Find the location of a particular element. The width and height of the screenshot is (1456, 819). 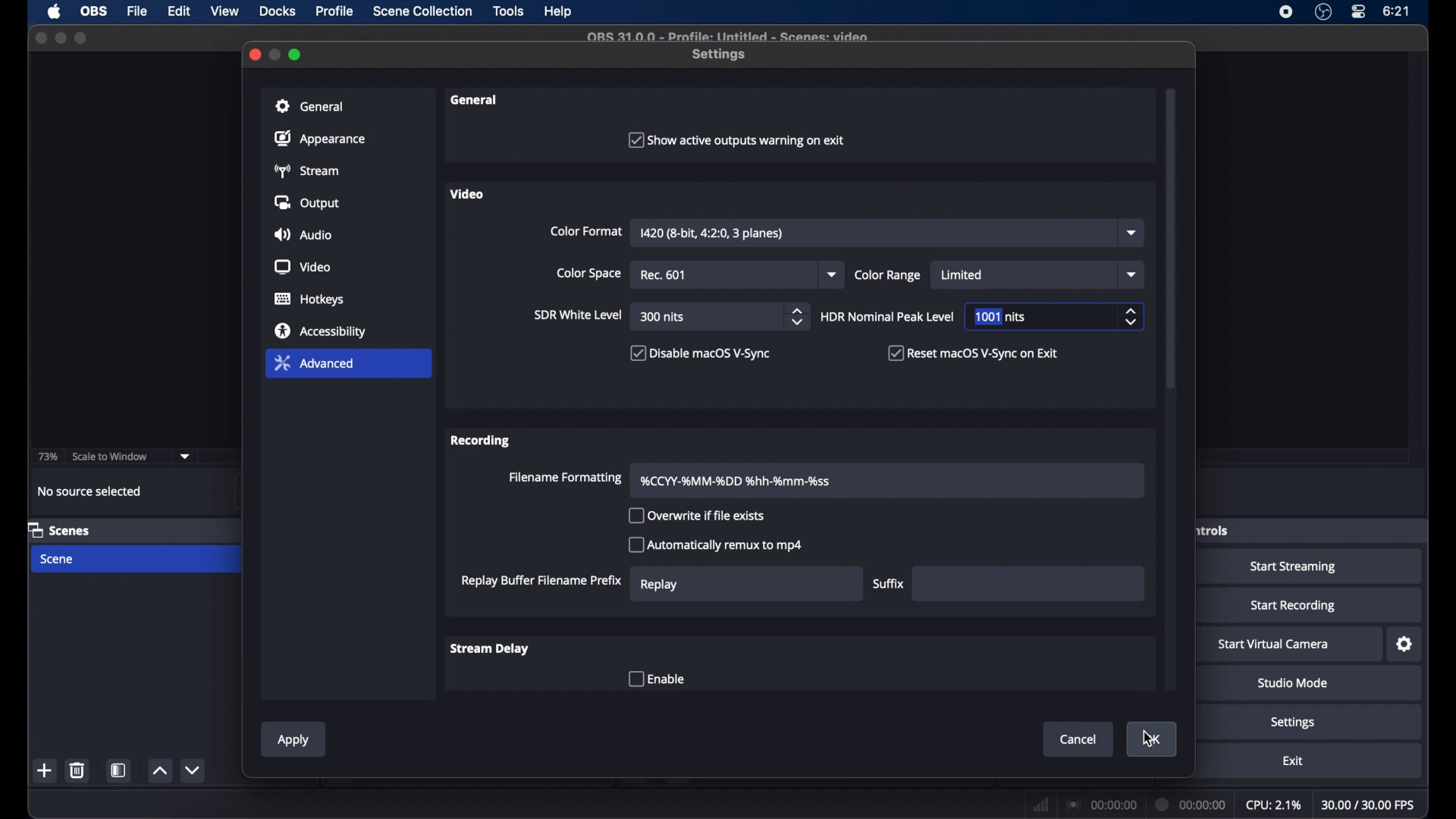

edit is located at coordinates (180, 12).